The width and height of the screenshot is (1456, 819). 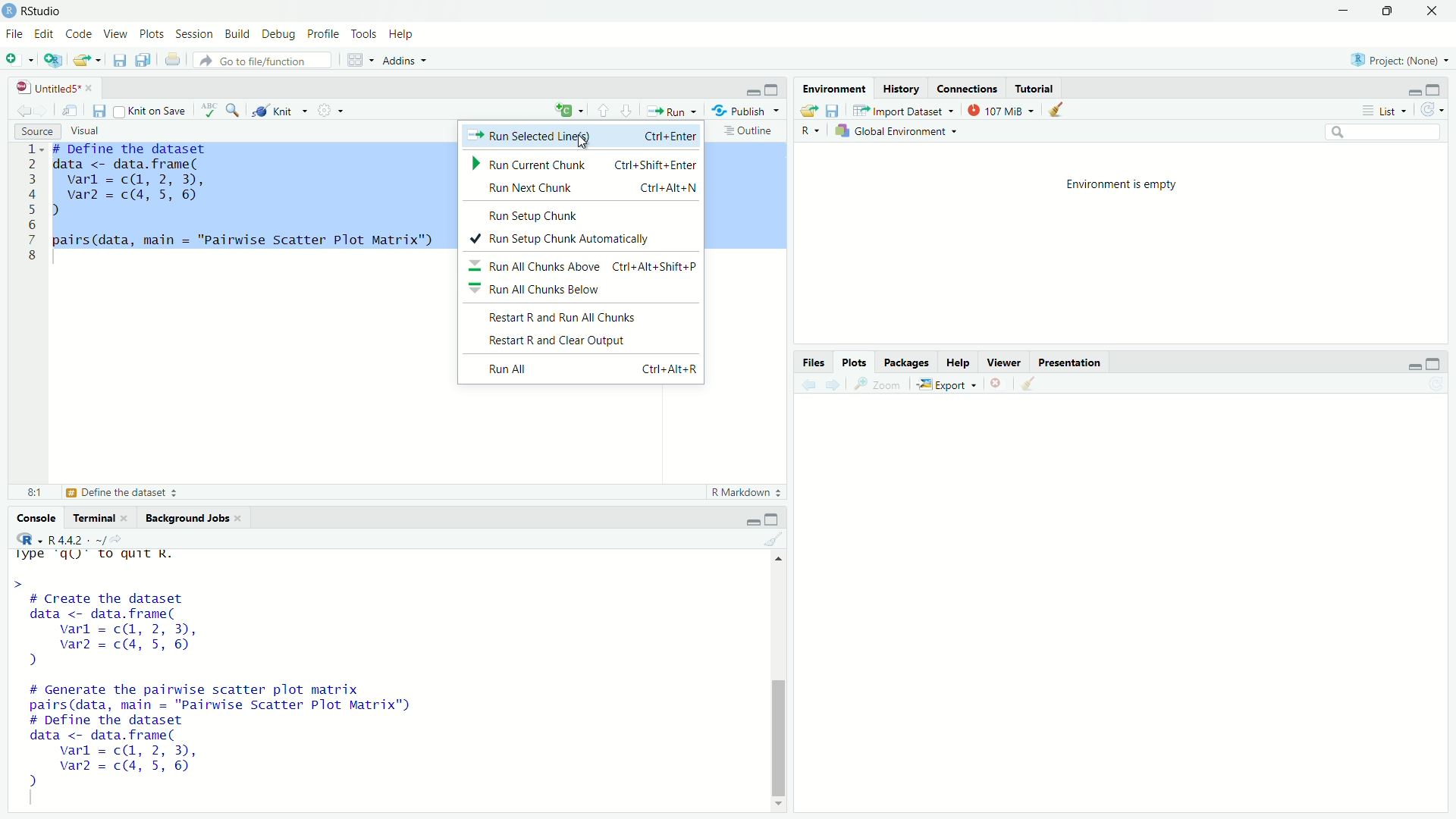 What do you see at coordinates (783, 539) in the screenshot?
I see `Clear console (Ctrl +L)` at bounding box center [783, 539].